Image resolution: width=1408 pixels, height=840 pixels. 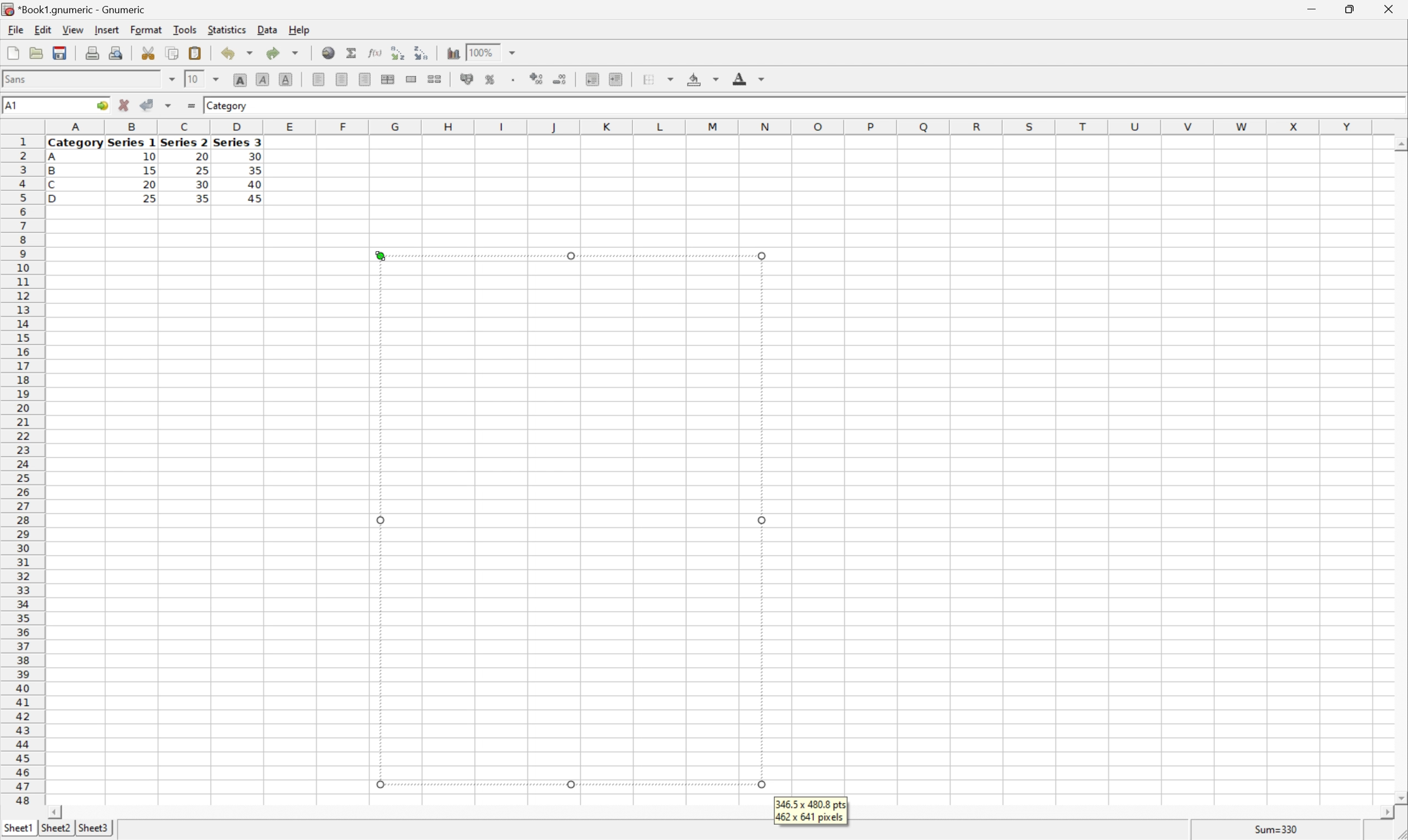 What do you see at coordinates (132, 143) in the screenshot?
I see `Series 1` at bounding box center [132, 143].